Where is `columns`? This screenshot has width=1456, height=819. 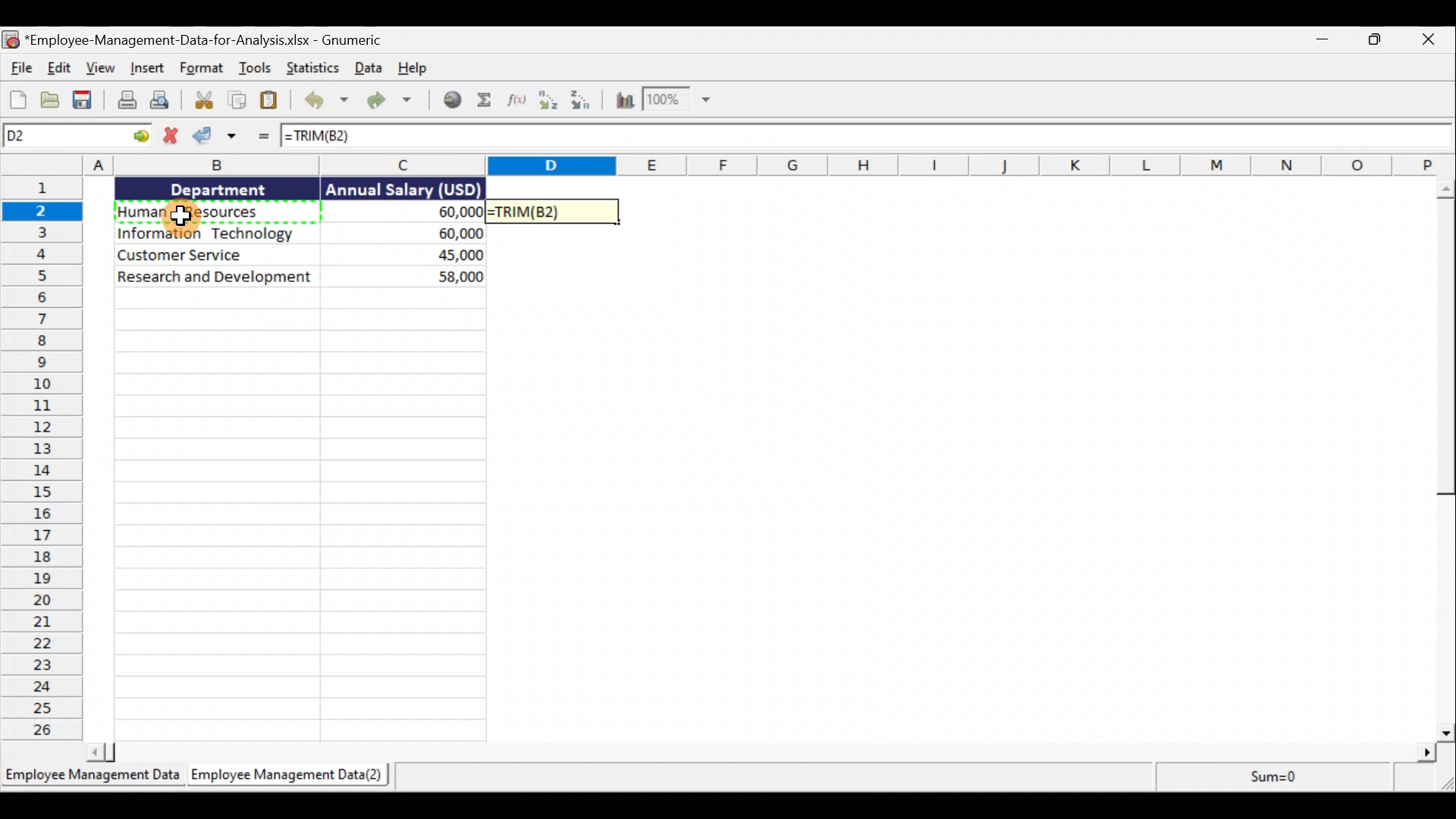
columns is located at coordinates (138, 165).